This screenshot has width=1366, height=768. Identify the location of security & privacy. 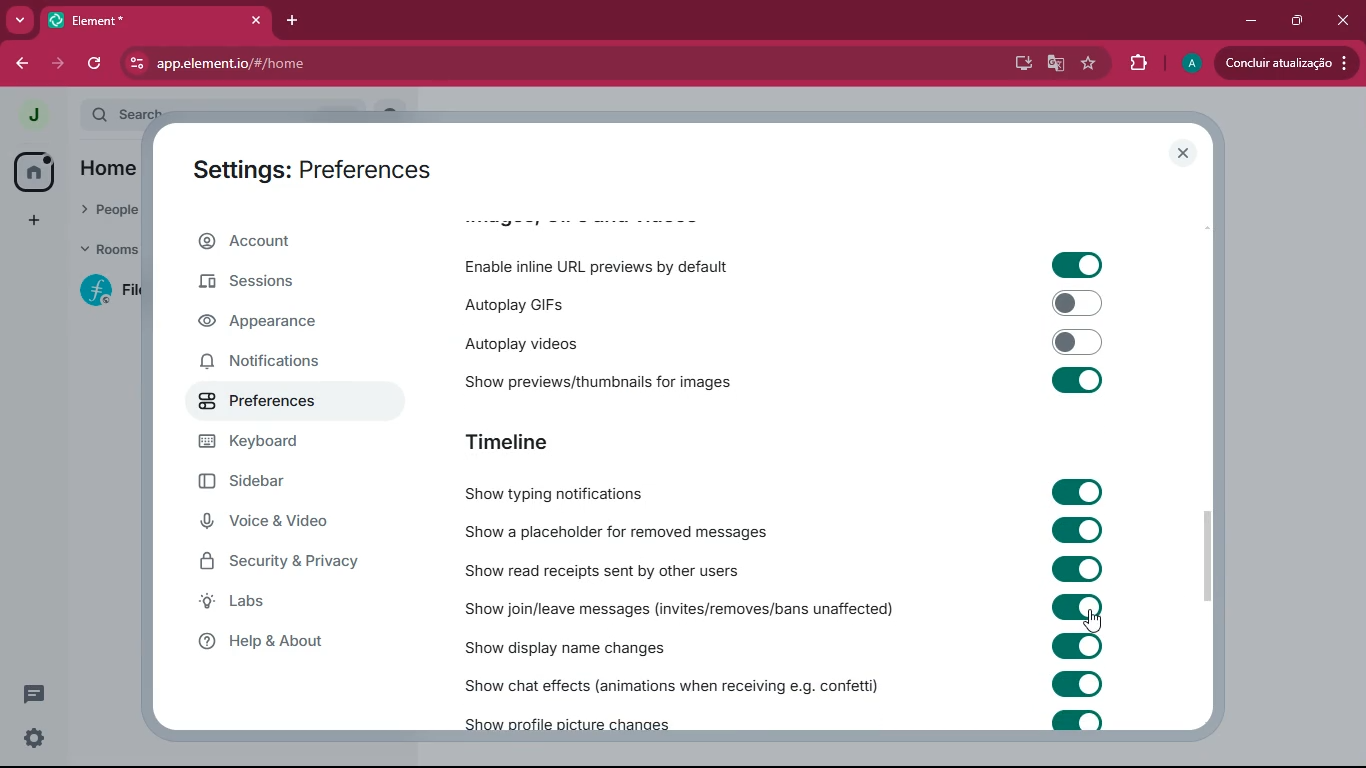
(280, 563).